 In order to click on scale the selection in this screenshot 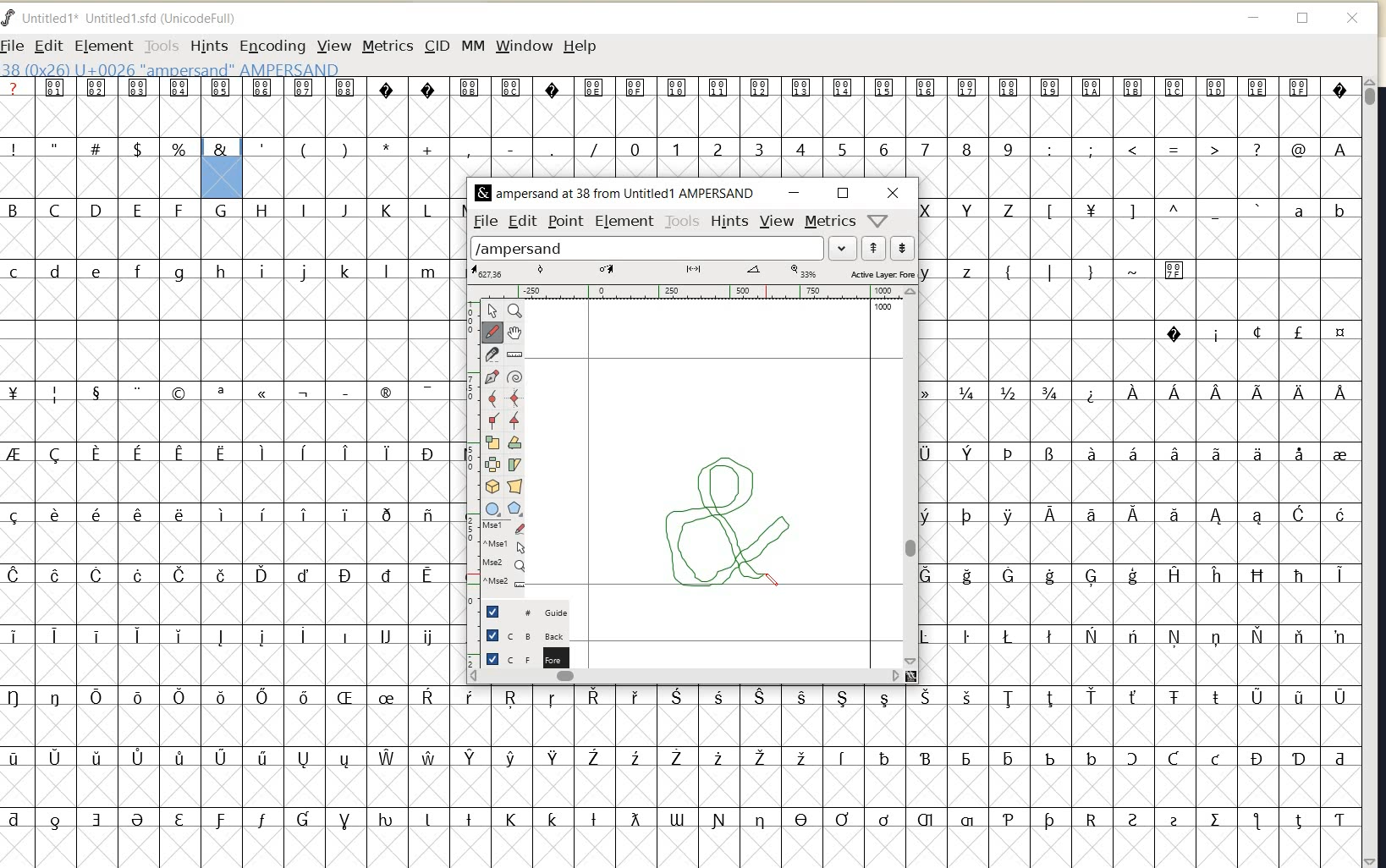, I will do `click(491, 442)`.